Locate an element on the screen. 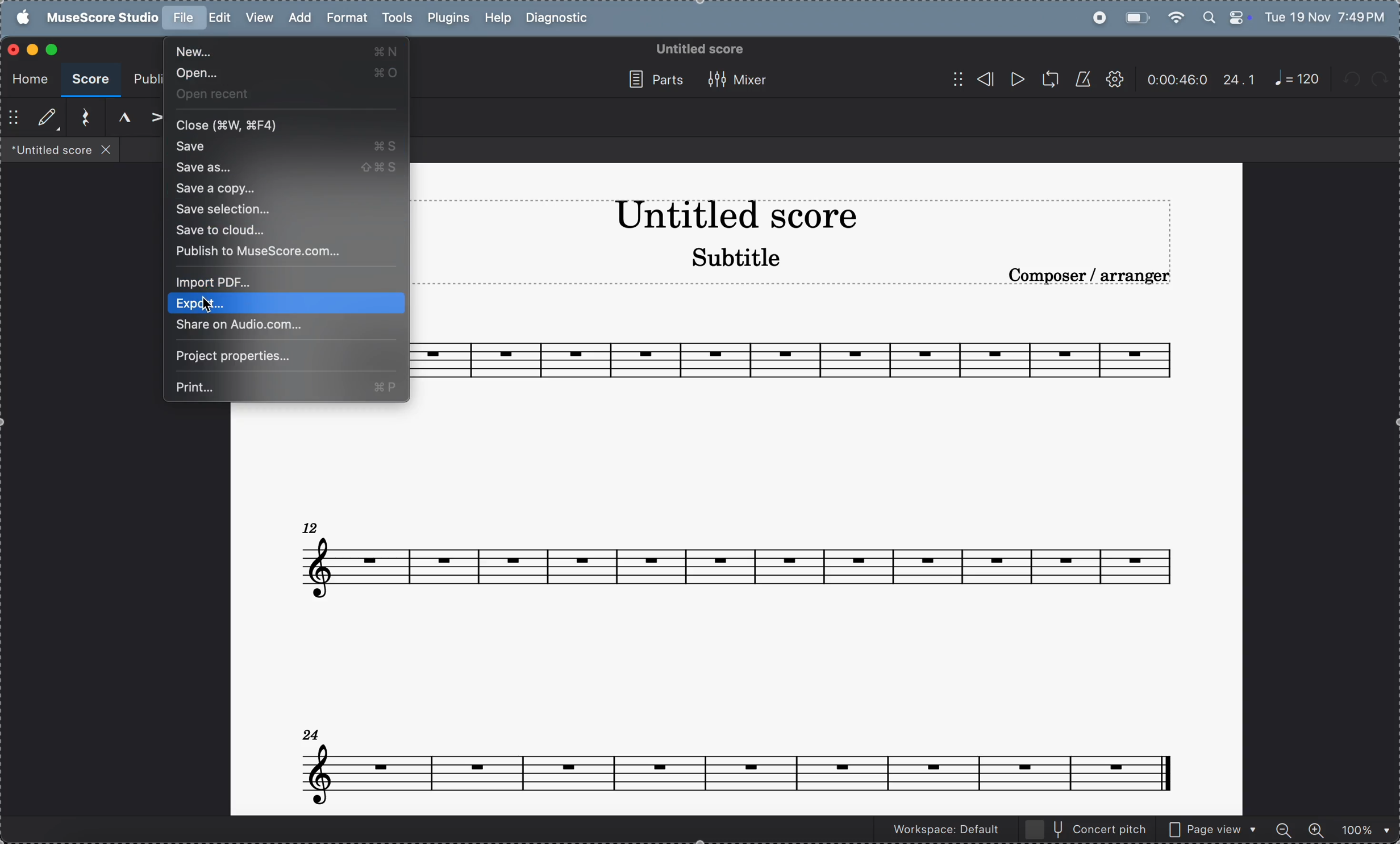 This screenshot has width=1400, height=844. settings is located at coordinates (1114, 80).